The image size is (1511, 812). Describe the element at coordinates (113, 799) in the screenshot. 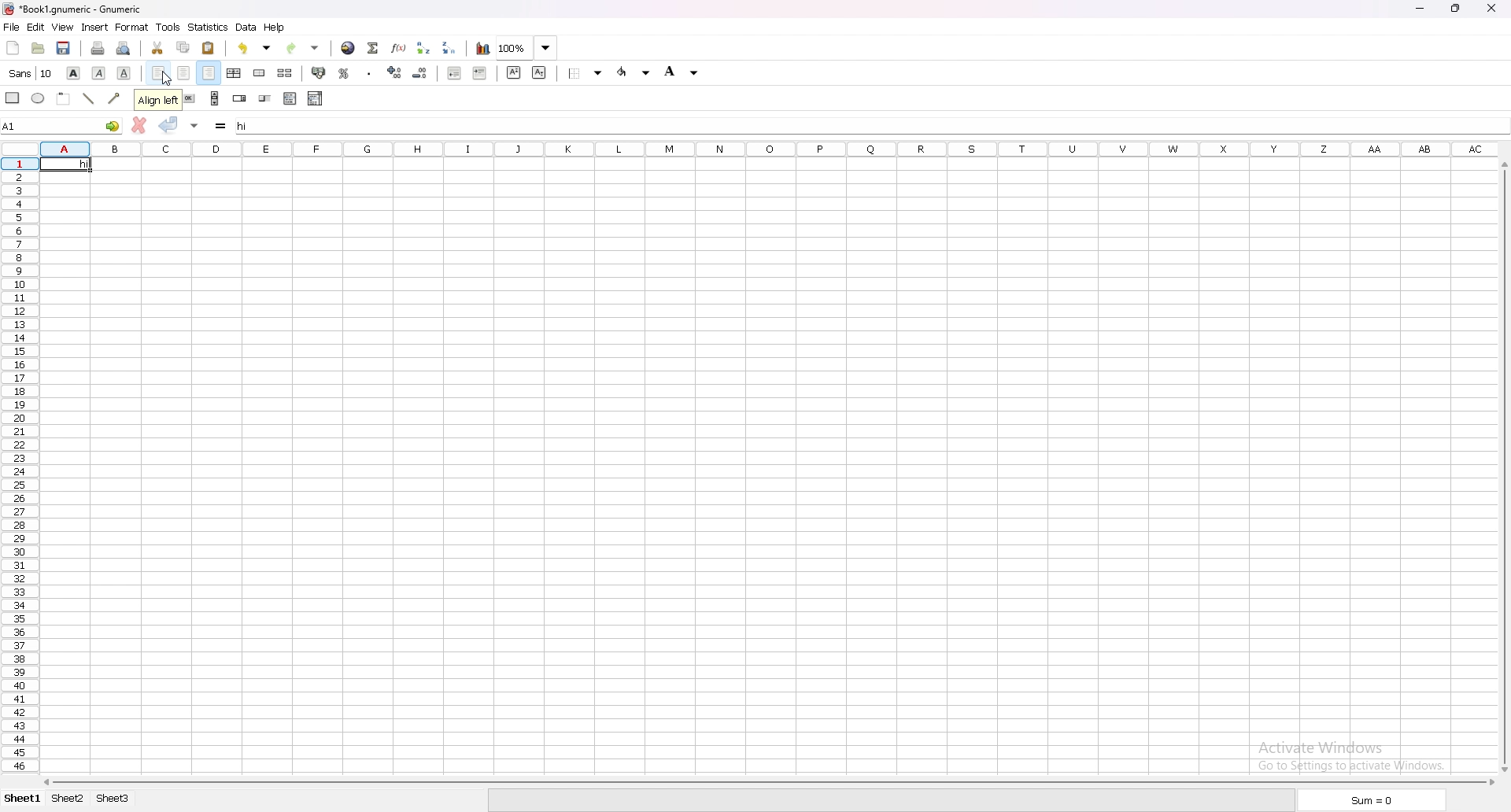

I see `sheet 3` at that location.